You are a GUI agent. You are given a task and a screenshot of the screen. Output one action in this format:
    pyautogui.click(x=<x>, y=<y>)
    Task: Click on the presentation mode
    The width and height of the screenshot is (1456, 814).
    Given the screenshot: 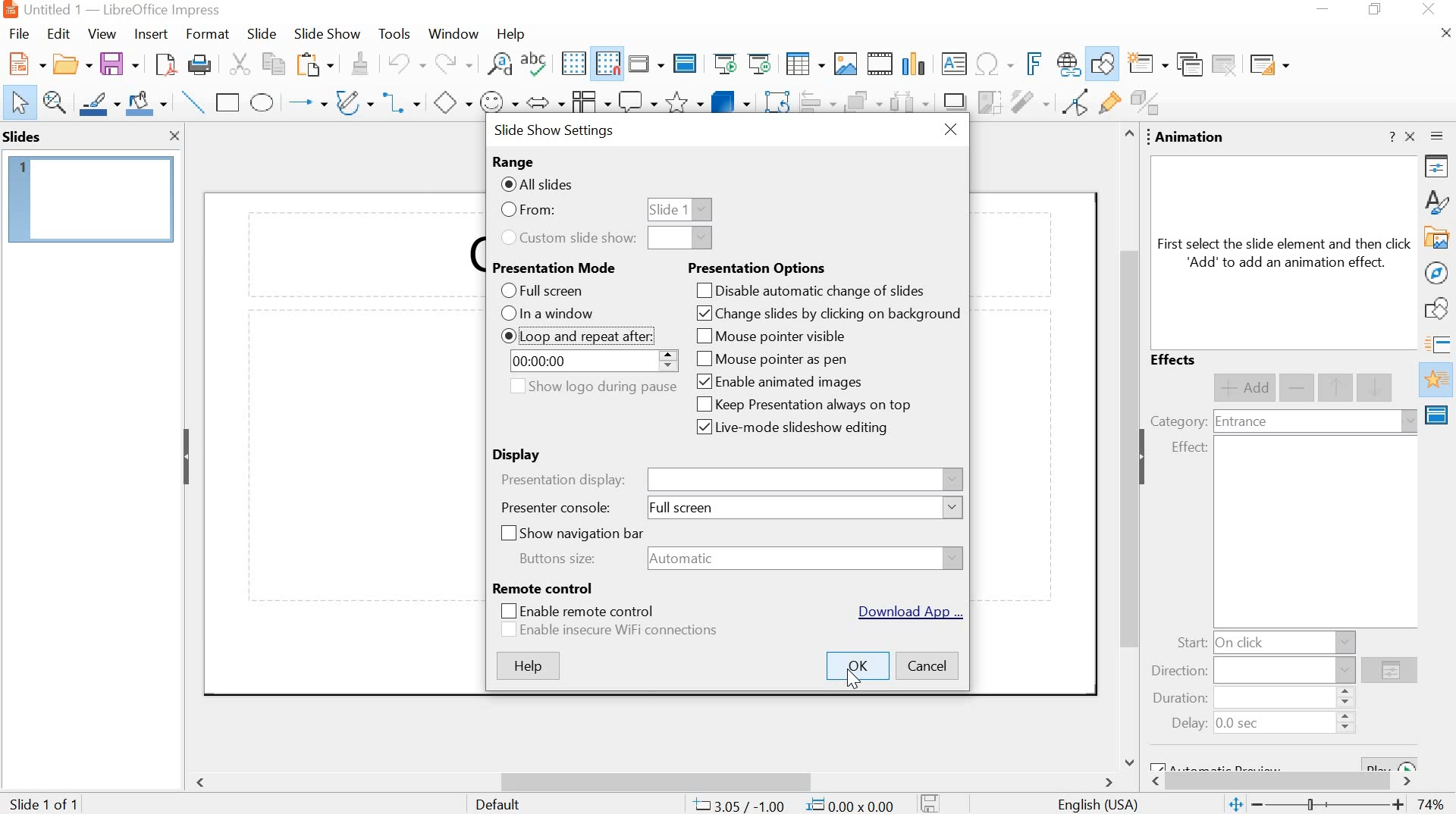 What is the action you would take?
    pyautogui.click(x=557, y=268)
    